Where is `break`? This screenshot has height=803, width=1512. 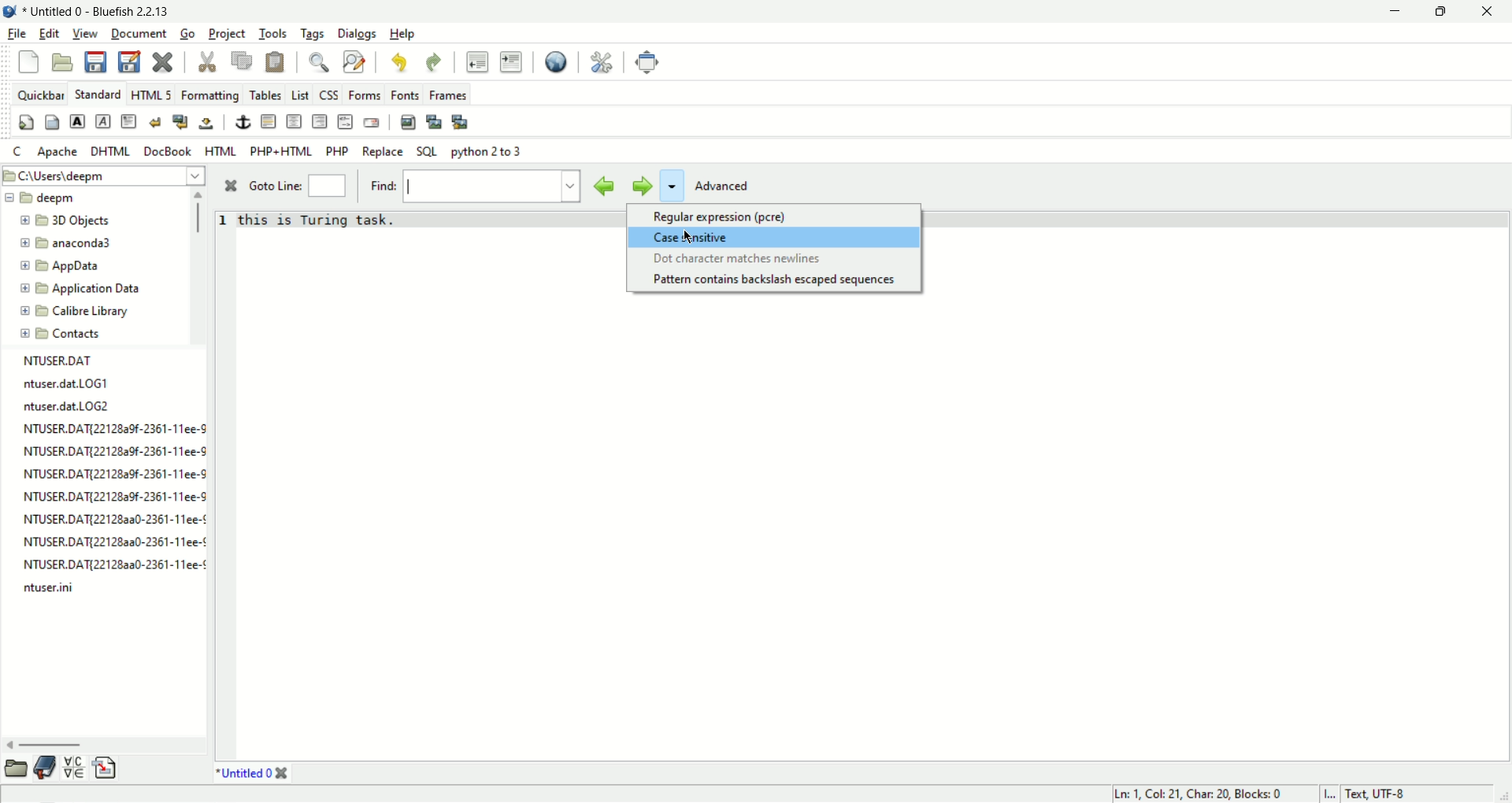
break is located at coordinates (155, 122).